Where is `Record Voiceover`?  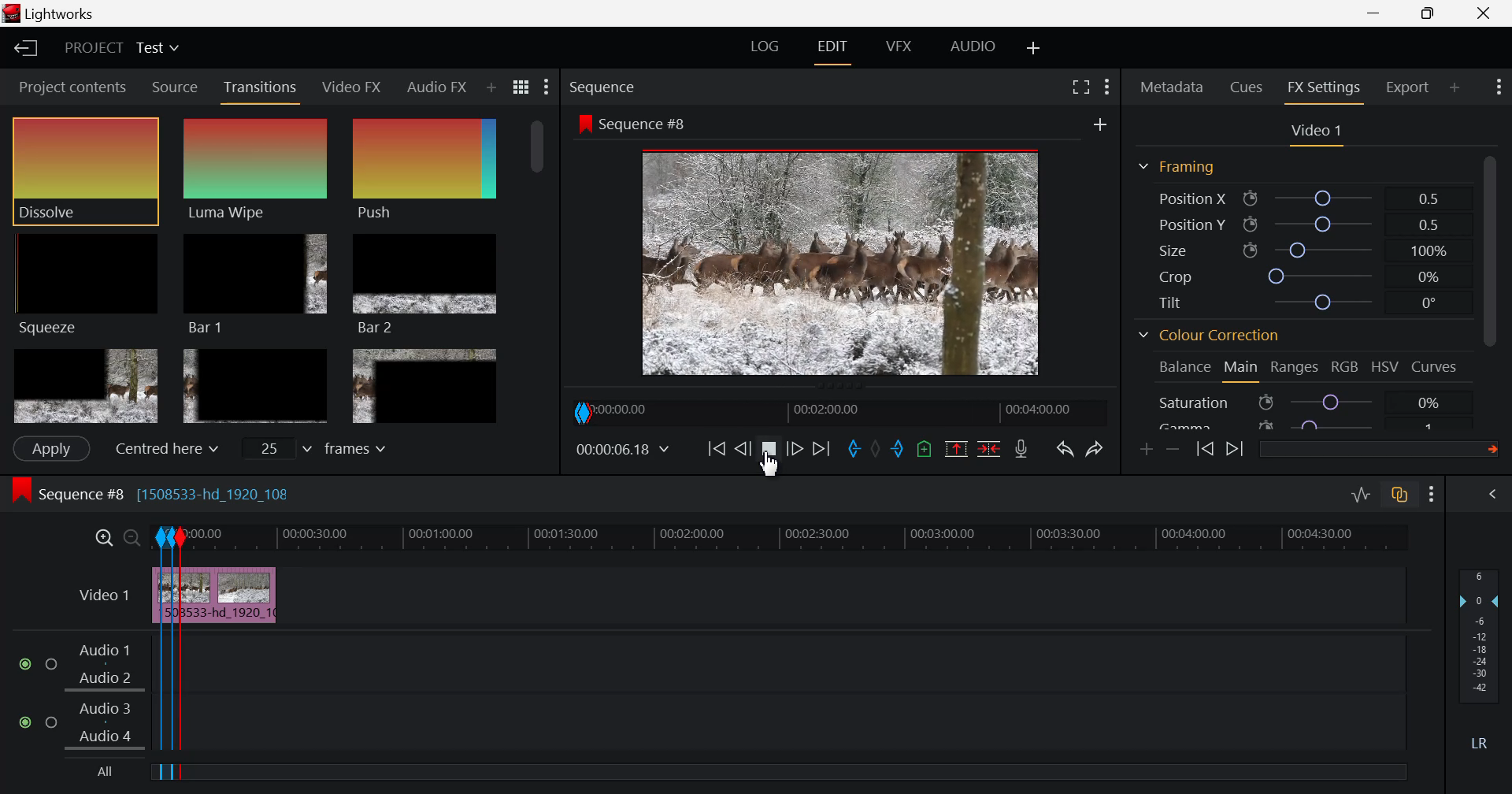 Record Voiceover is located at coordinates (1021, 449).